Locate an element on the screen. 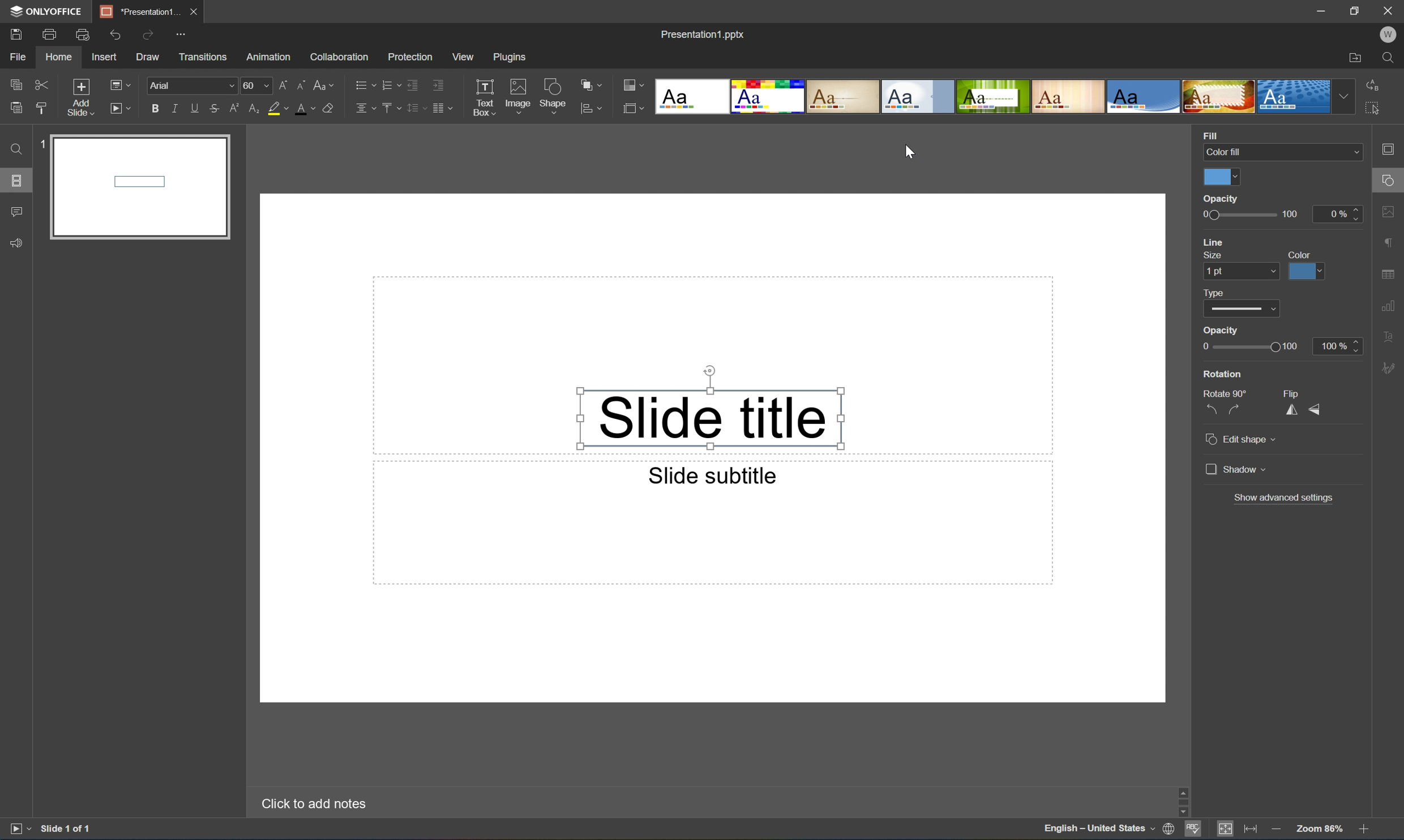 This screenshot has width=1404, height=840. slider is located at coordinates (1220, 199).